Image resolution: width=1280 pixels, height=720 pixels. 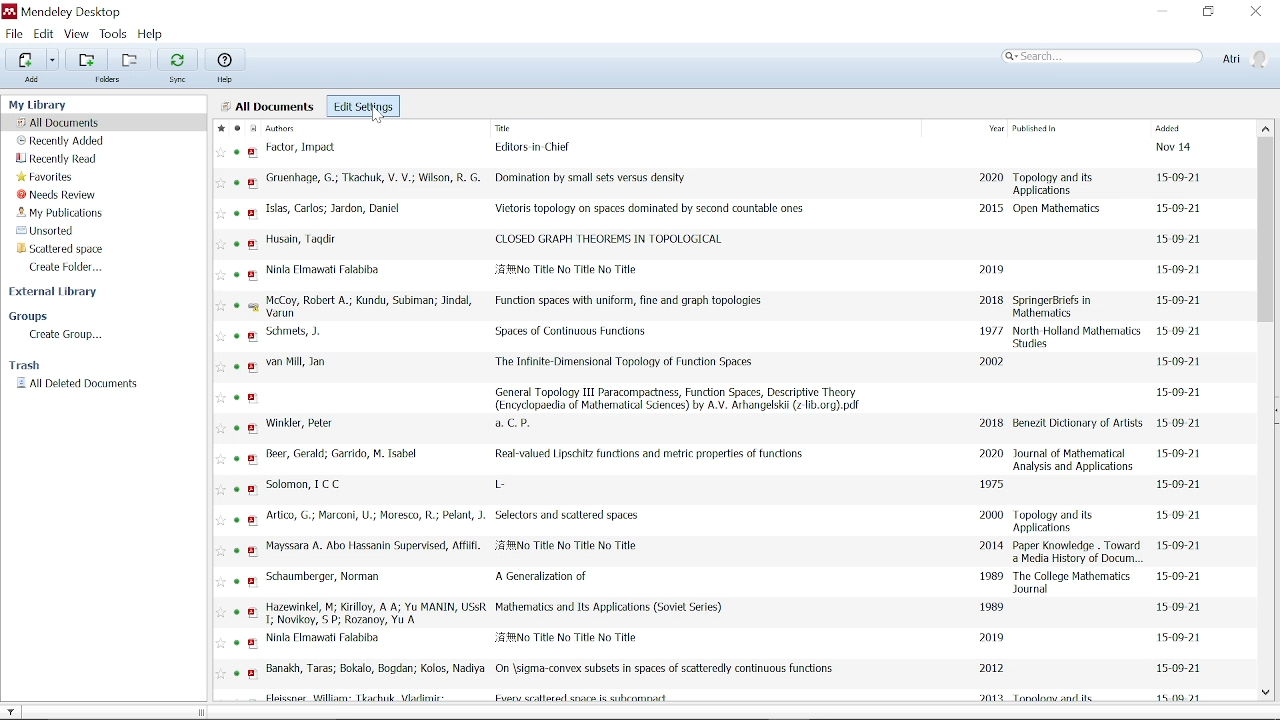 I want to click on Help, so click(x=228, y=60).